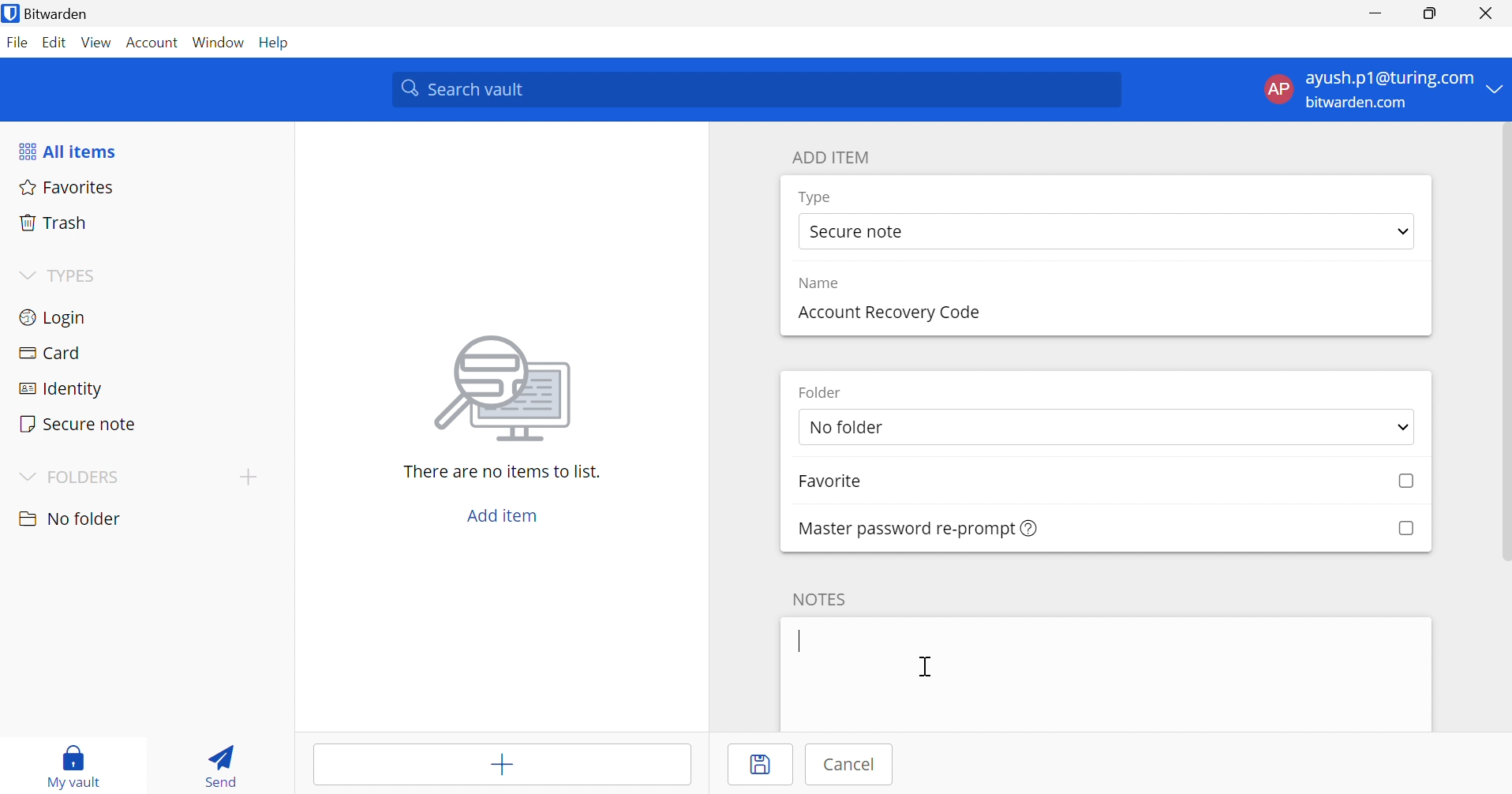  What do you see at coordinates (25, 475) in the screenshot?
I see `Drop Down` at bounding box center [25, 475].